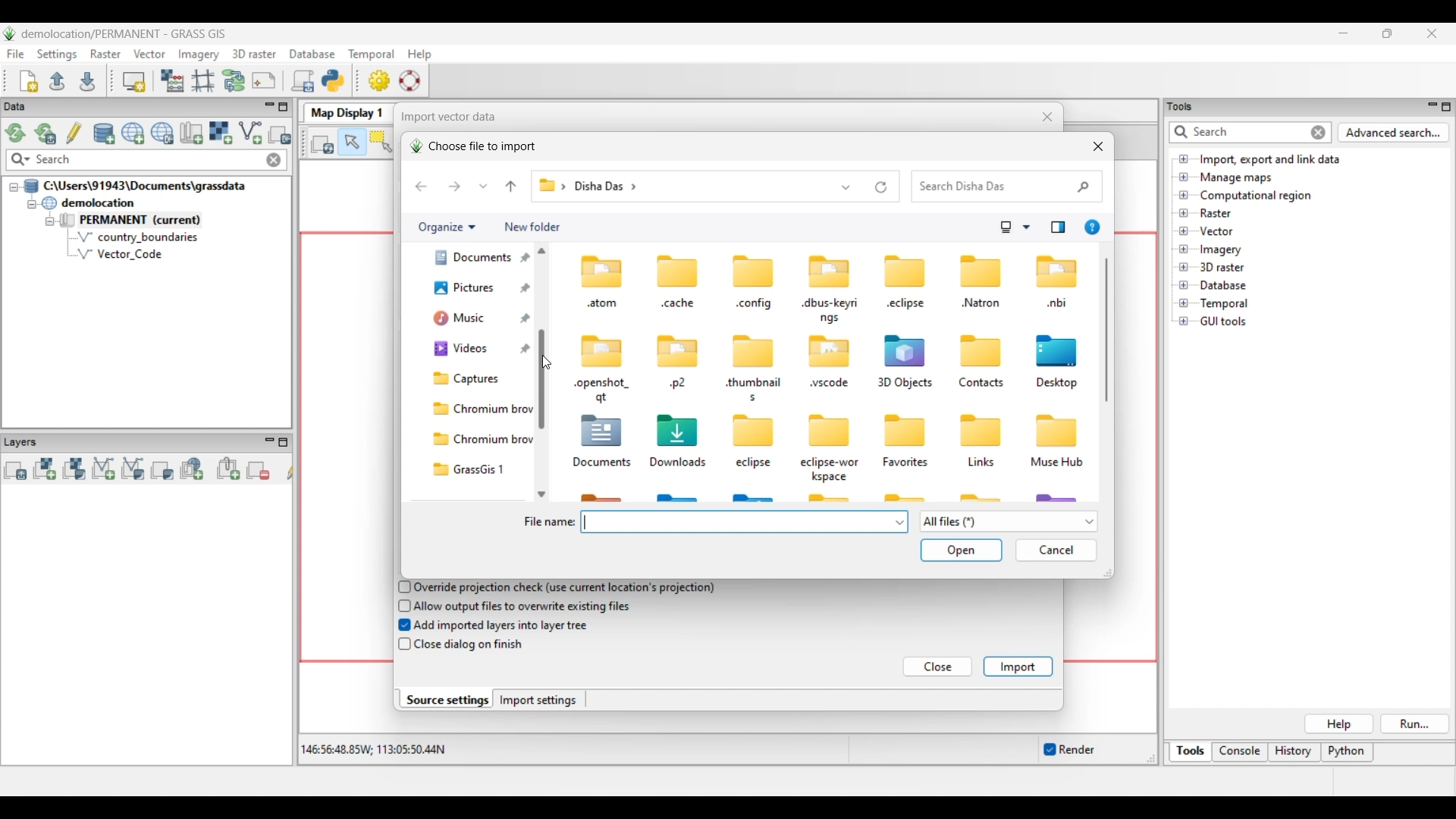 The width and height of the screenshot is (1456, 819). Describe the element at coordinates (1184, 285) in the screenshot. I see `Click to open Database` at that location.